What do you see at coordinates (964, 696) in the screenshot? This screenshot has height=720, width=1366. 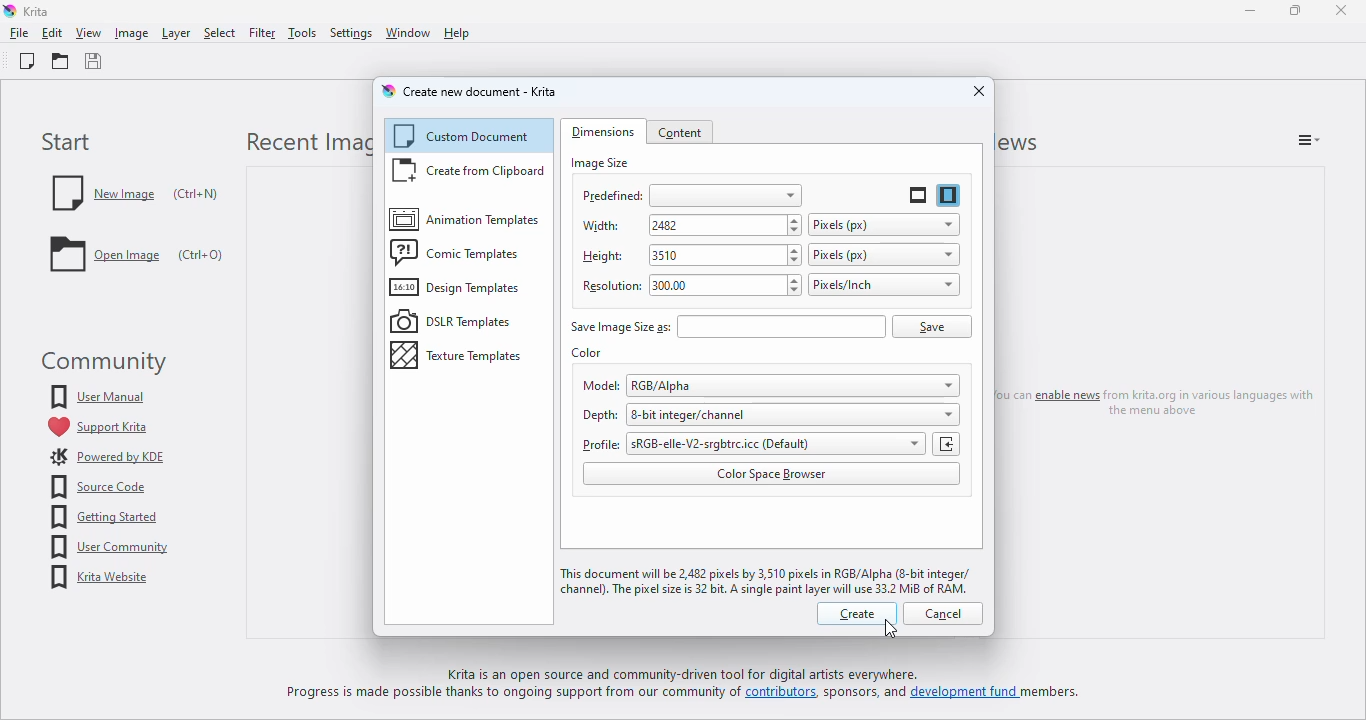 I see `development fund` at bounding box center [964, 696].